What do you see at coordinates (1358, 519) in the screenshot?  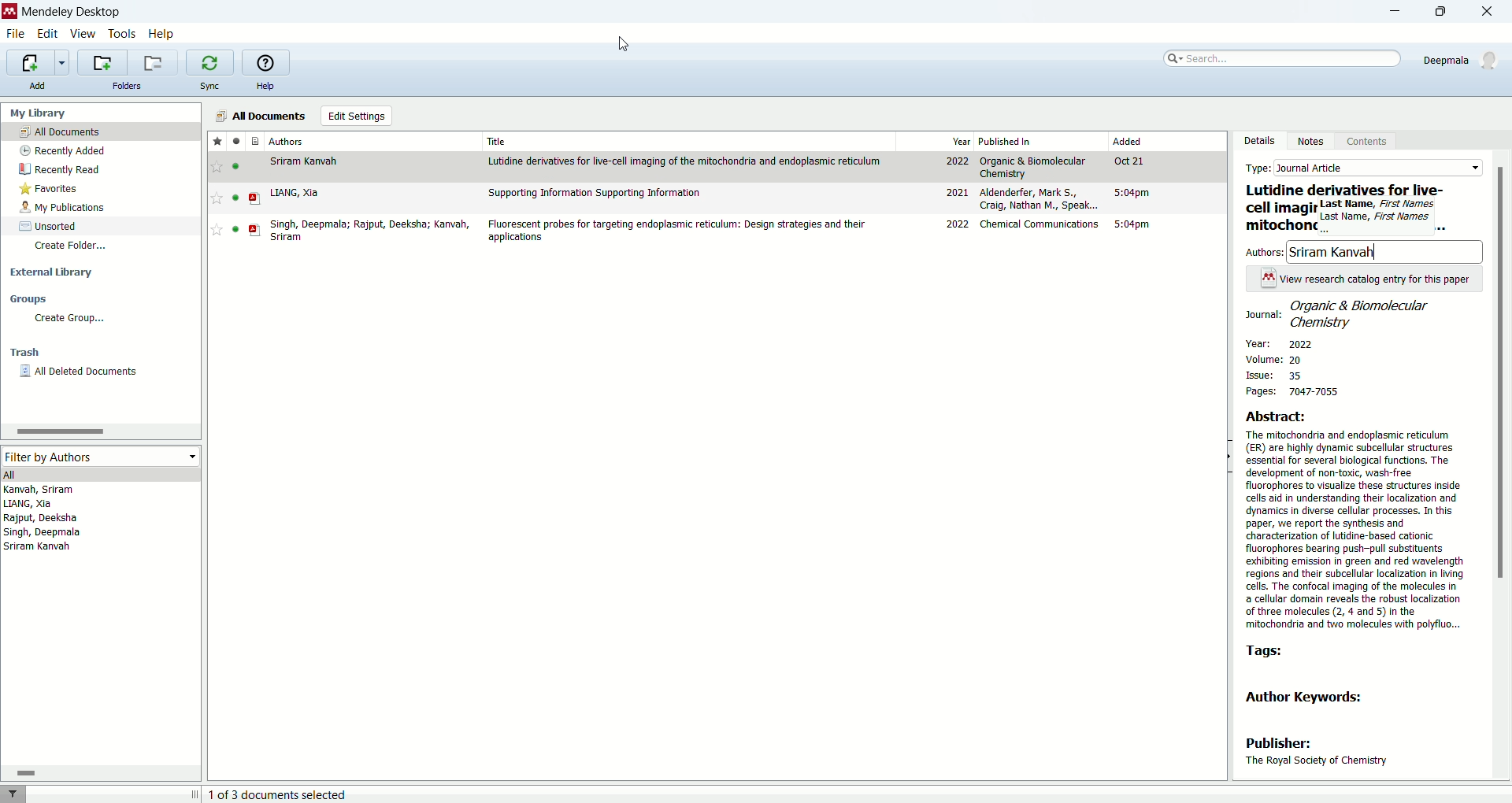 I see `Abstract:

The mitochondria and endoplasmic reticulum
(ER) are highly dynamic subcellular structures
essential for several biological functions. The
development of non-toxic, wash-free
fluorophores to visualize these structures inside
cells aid in understanding their localization and
dynamics in diverse cellular processes. In this
paper, we report the synthesis and
characterization of utidine-based cationic
fluorophores bearing push-pull substituents
exhibiting emission in green and red wavelength
regions and their subcellular localization in living
cells. The confocal imaging of the molecules in
a cellular domain reveals the robust localization
of three molecules (2, 4 and 5) in the
‘mitochondria and two molecules with polyfiuo...` at bounding box center [1358, 519].